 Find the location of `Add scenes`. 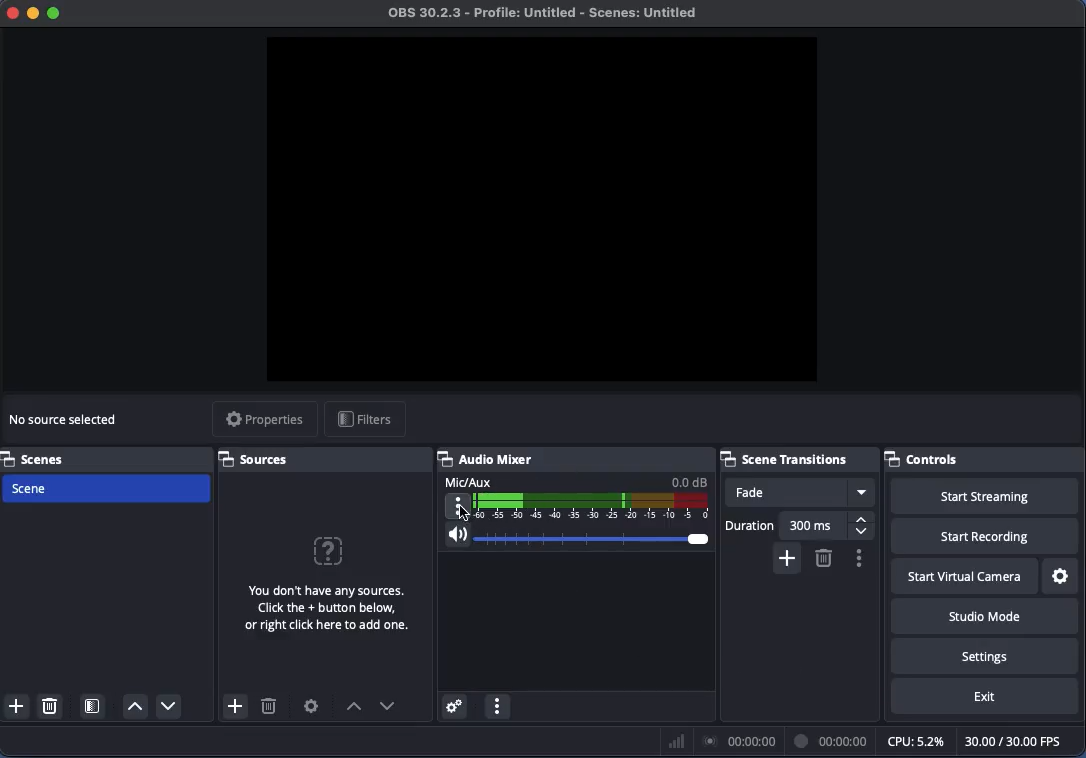

Add scenes is located at coordinates (17, 706).